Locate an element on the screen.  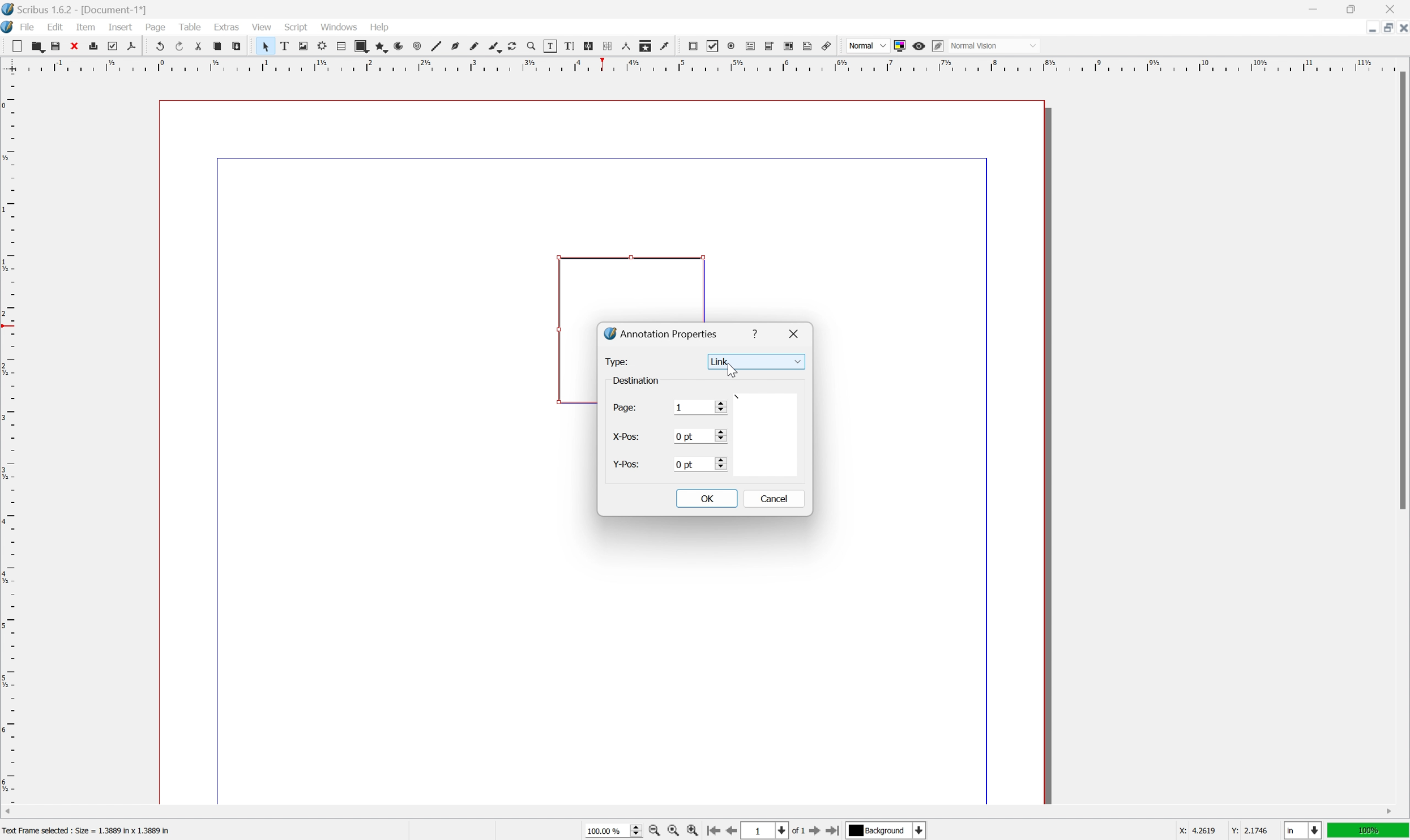
zoom in is located at coordinates (692, 830).